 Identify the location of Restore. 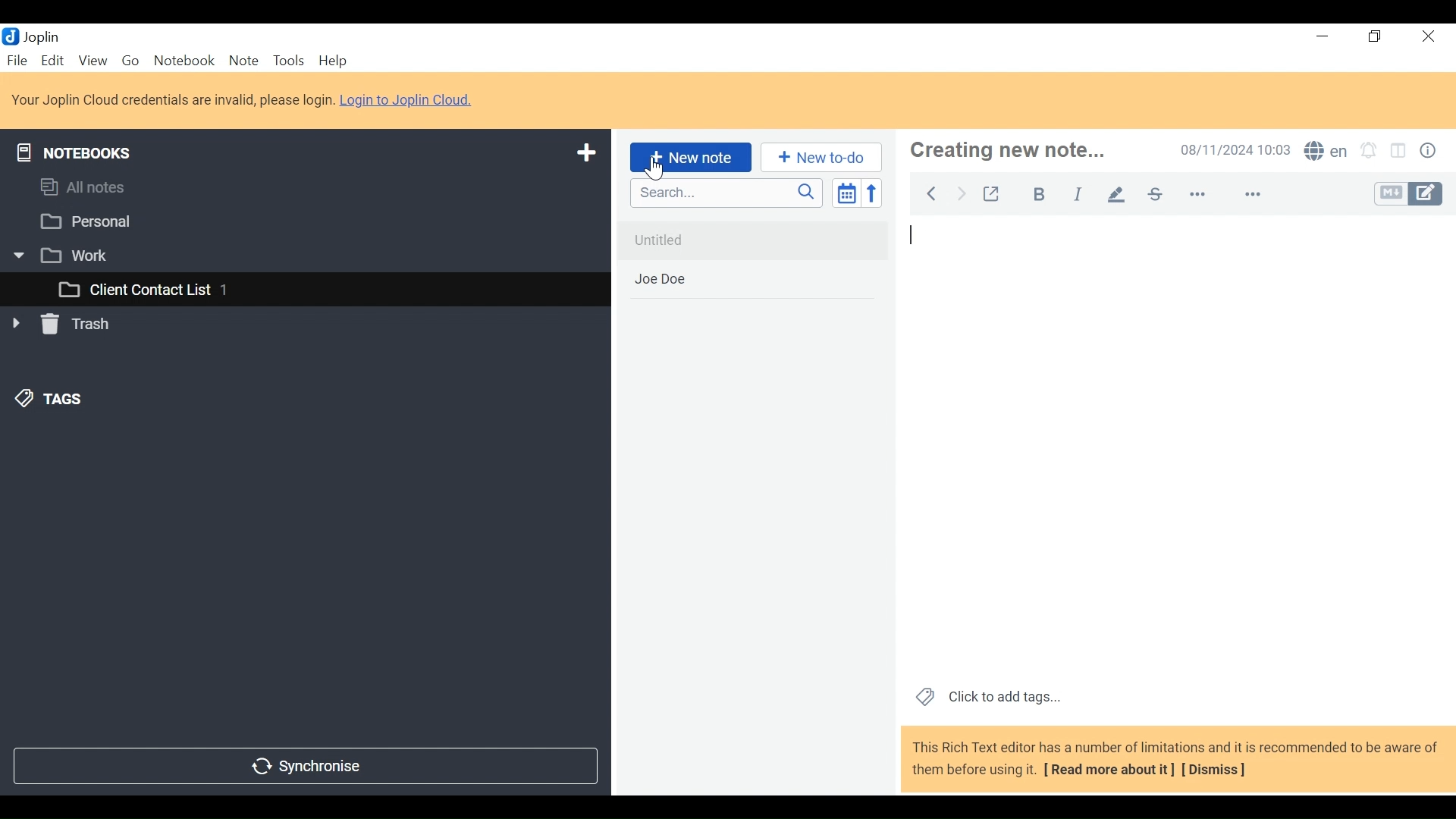
(1375, 36).